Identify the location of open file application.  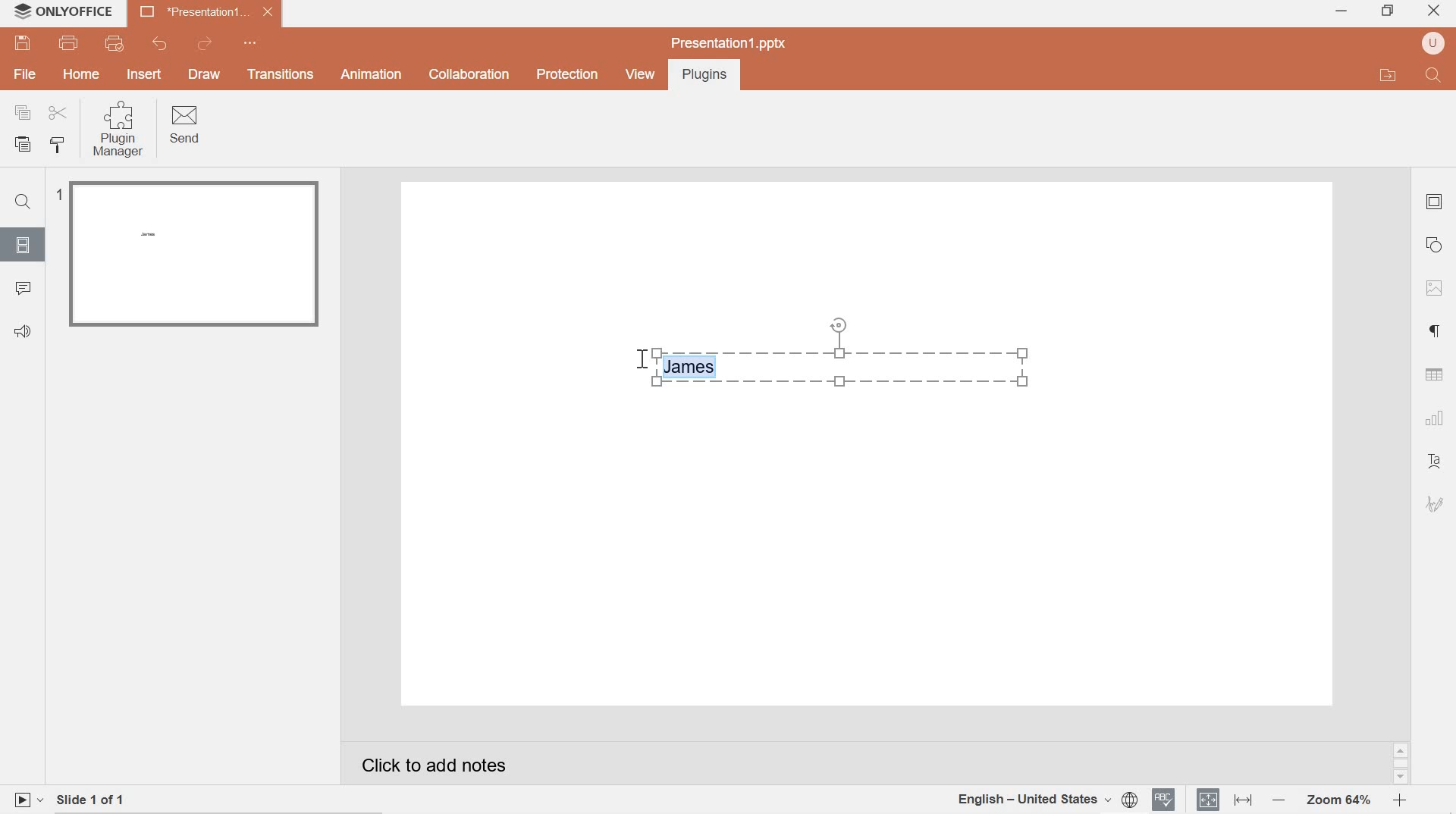
(1386, 75).